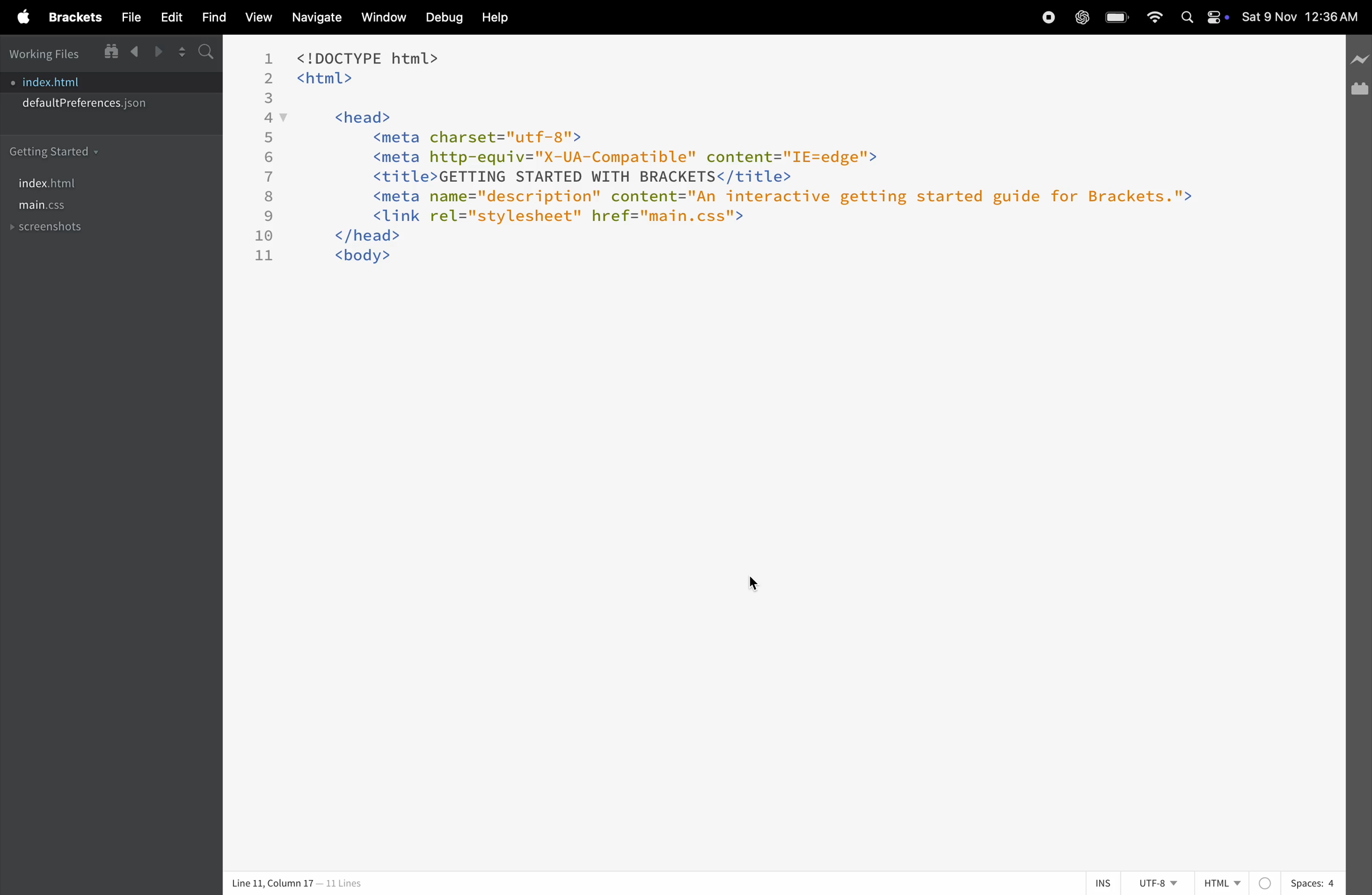  I want to click on window, so click(386, 18).